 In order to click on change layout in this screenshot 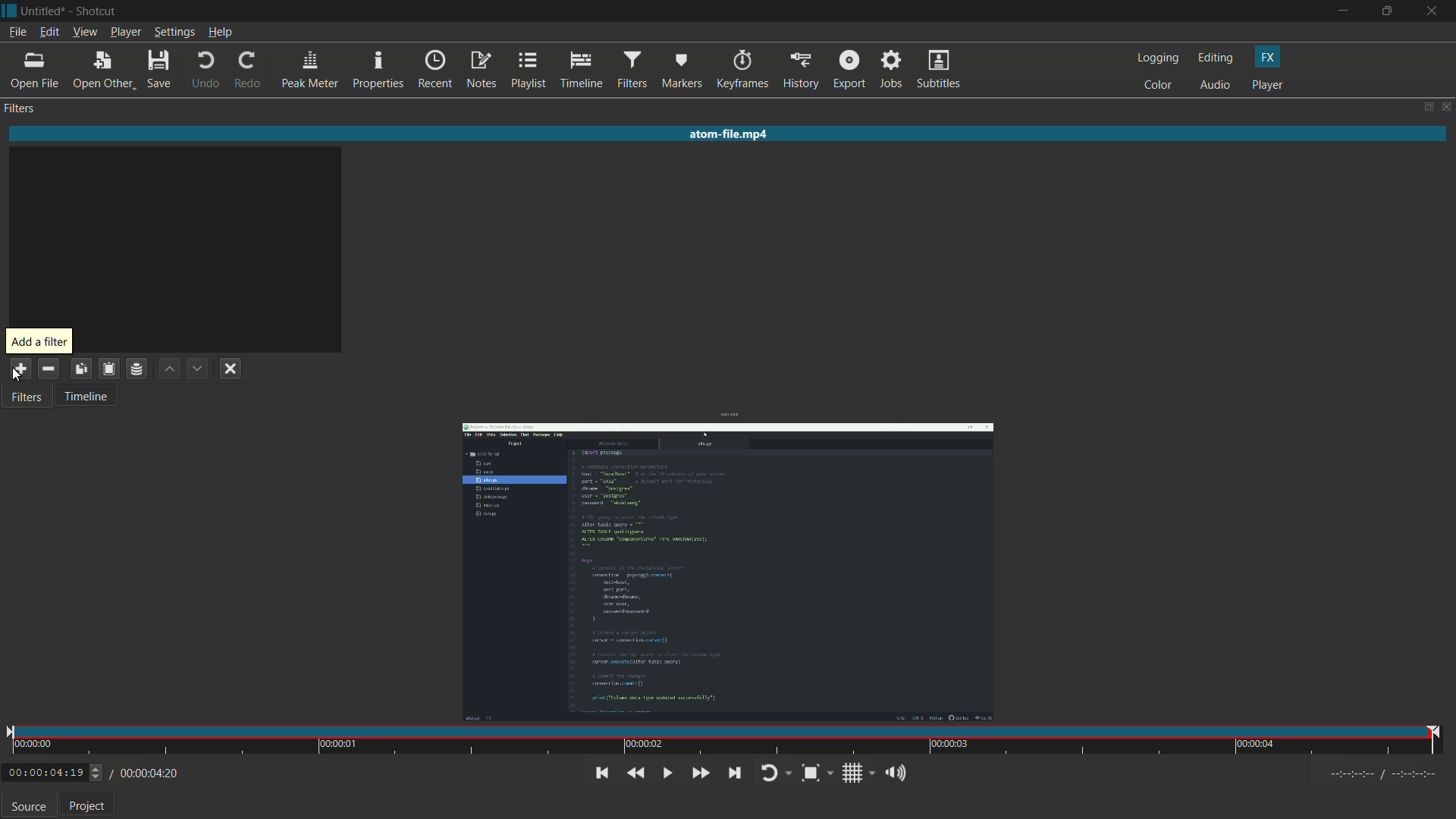, I will do `click(1423, 106)`.